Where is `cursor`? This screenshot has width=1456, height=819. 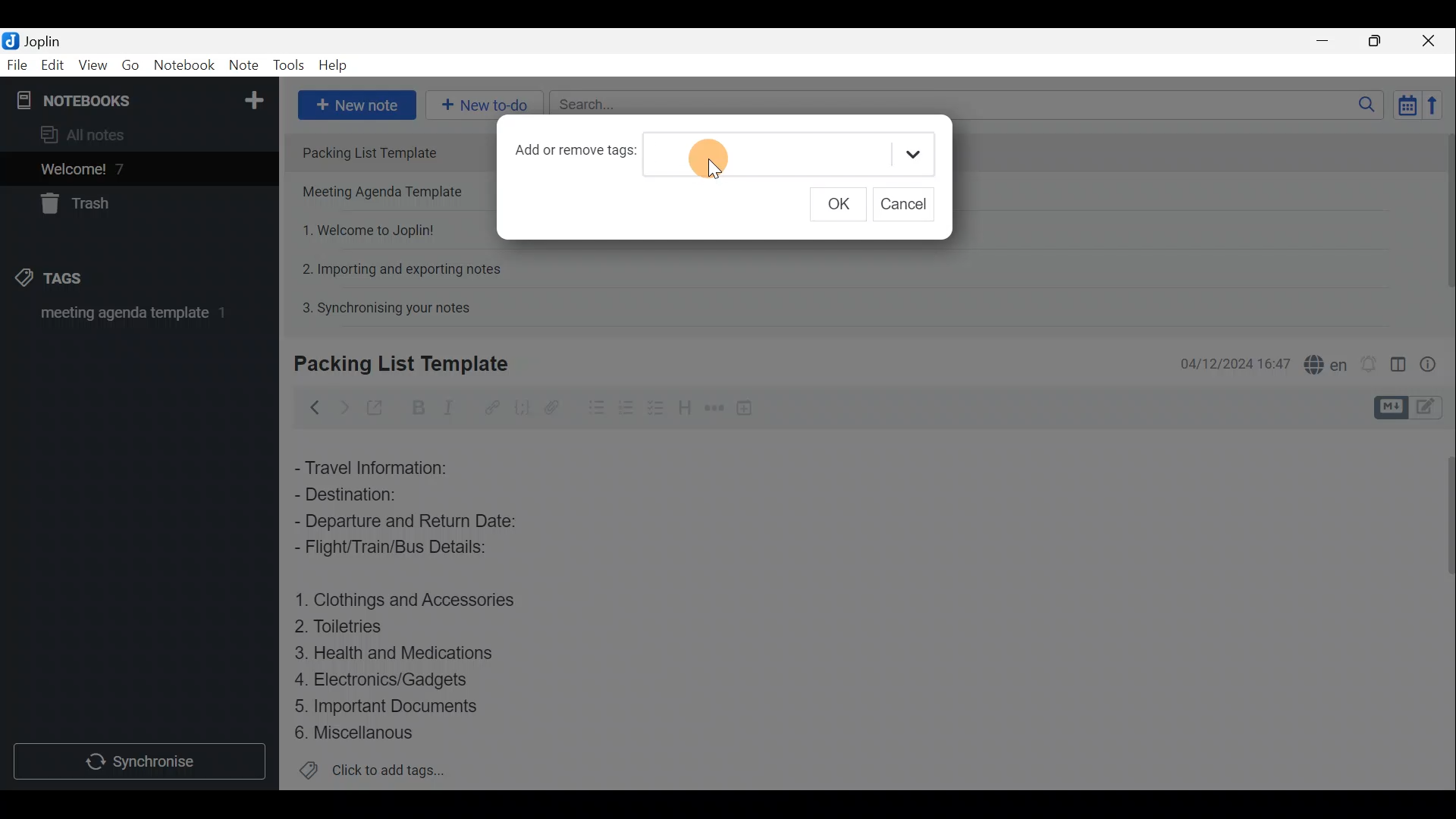 cursor is located at coordinates (714, 173).